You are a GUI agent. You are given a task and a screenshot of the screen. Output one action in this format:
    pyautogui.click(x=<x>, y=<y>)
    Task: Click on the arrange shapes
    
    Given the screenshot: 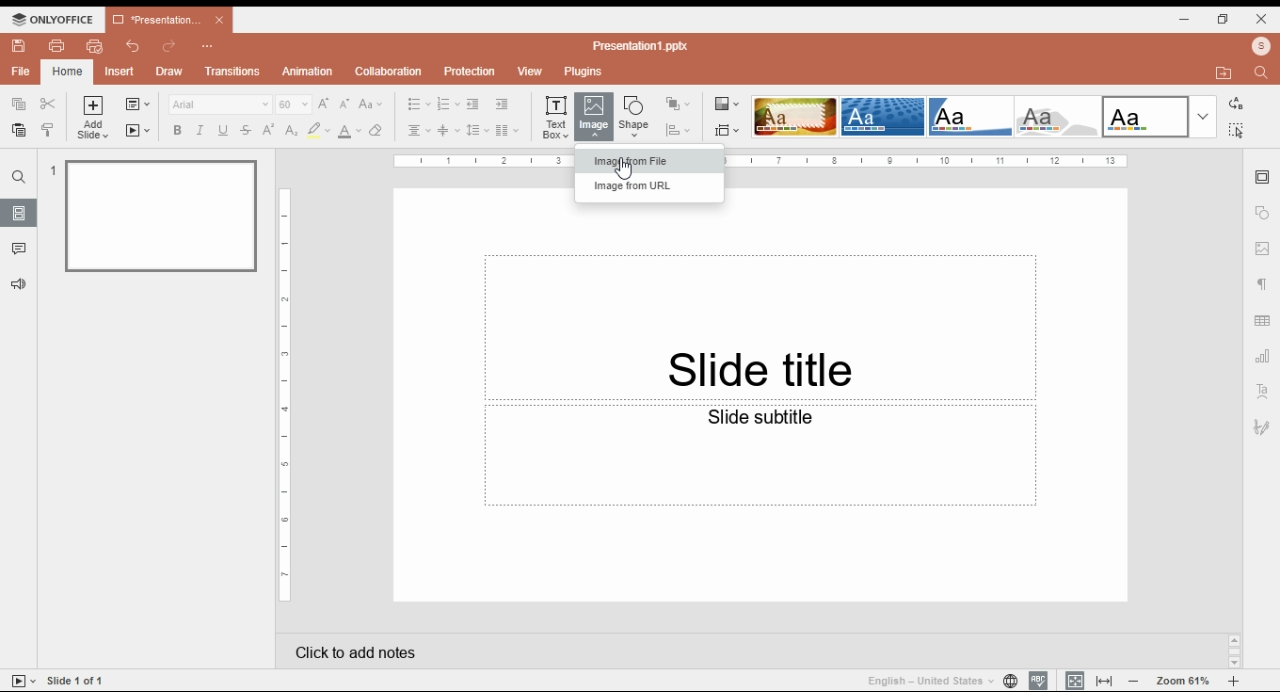 What is the action you would take?
    pyautogui.click(x=679, y=105)
    